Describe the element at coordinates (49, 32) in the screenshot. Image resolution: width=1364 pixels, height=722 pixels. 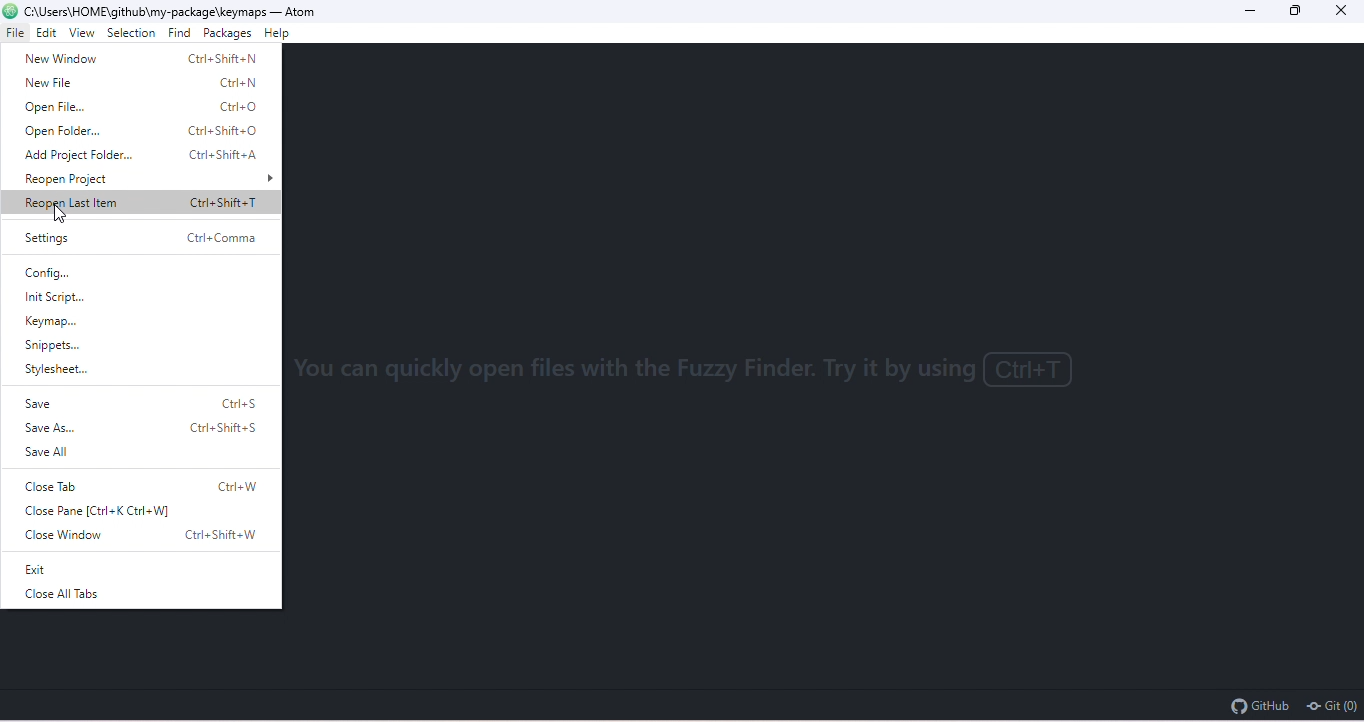
I see `edit` at that location.